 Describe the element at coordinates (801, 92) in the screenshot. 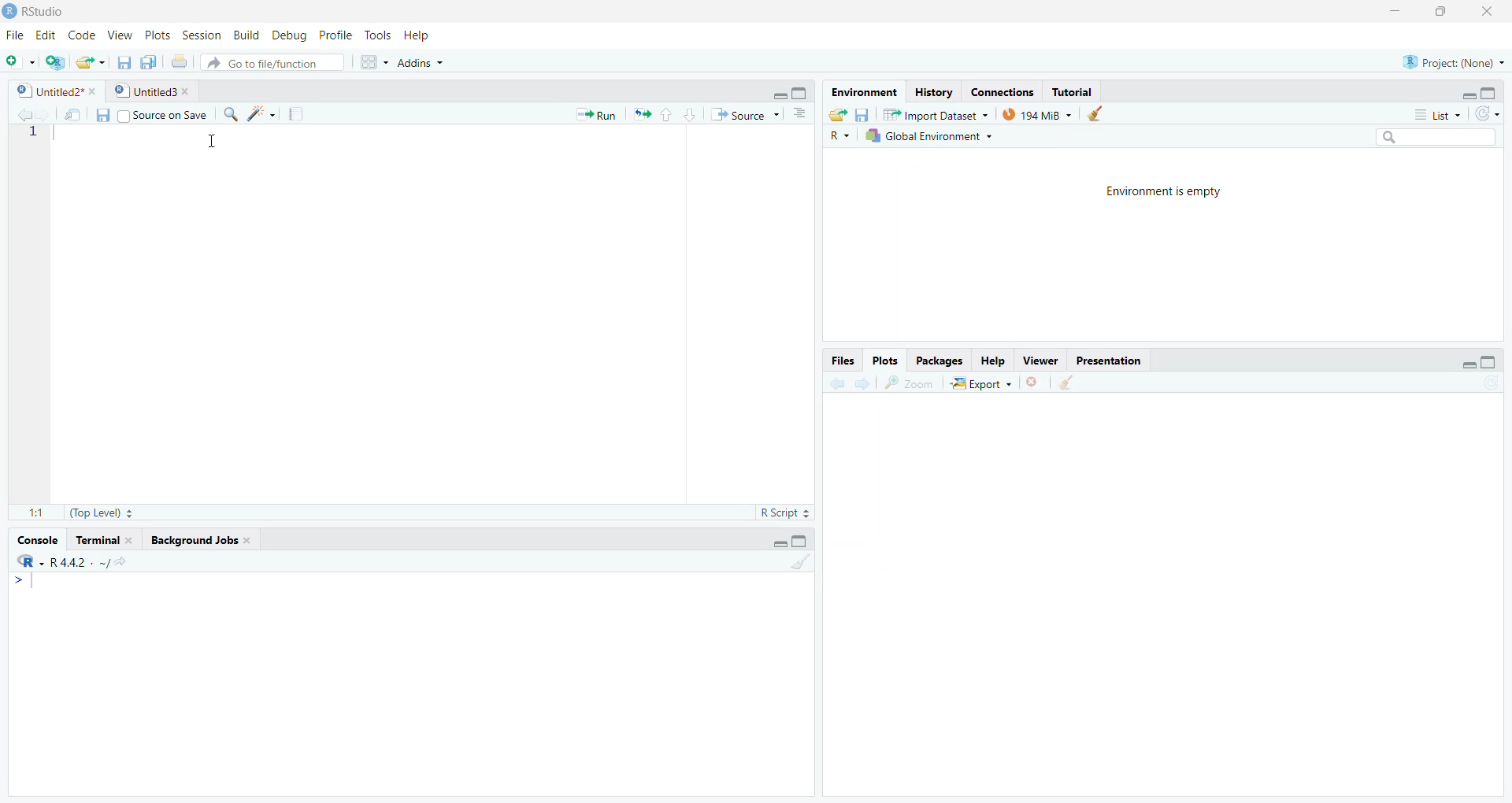

I see `Maximize` at that location.